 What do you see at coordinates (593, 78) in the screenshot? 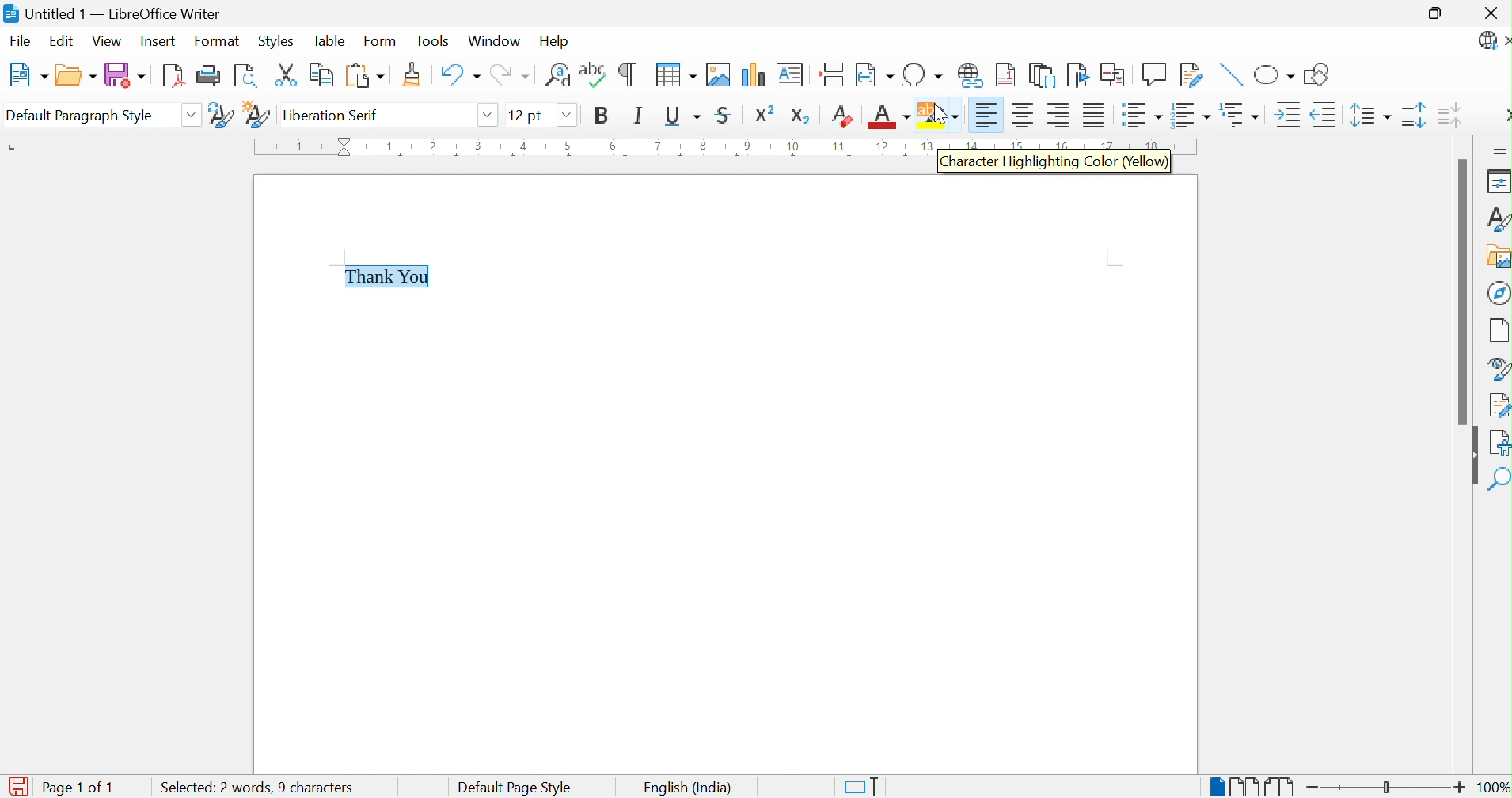
I see `Check Spelling` at bounding box center [593, 78].